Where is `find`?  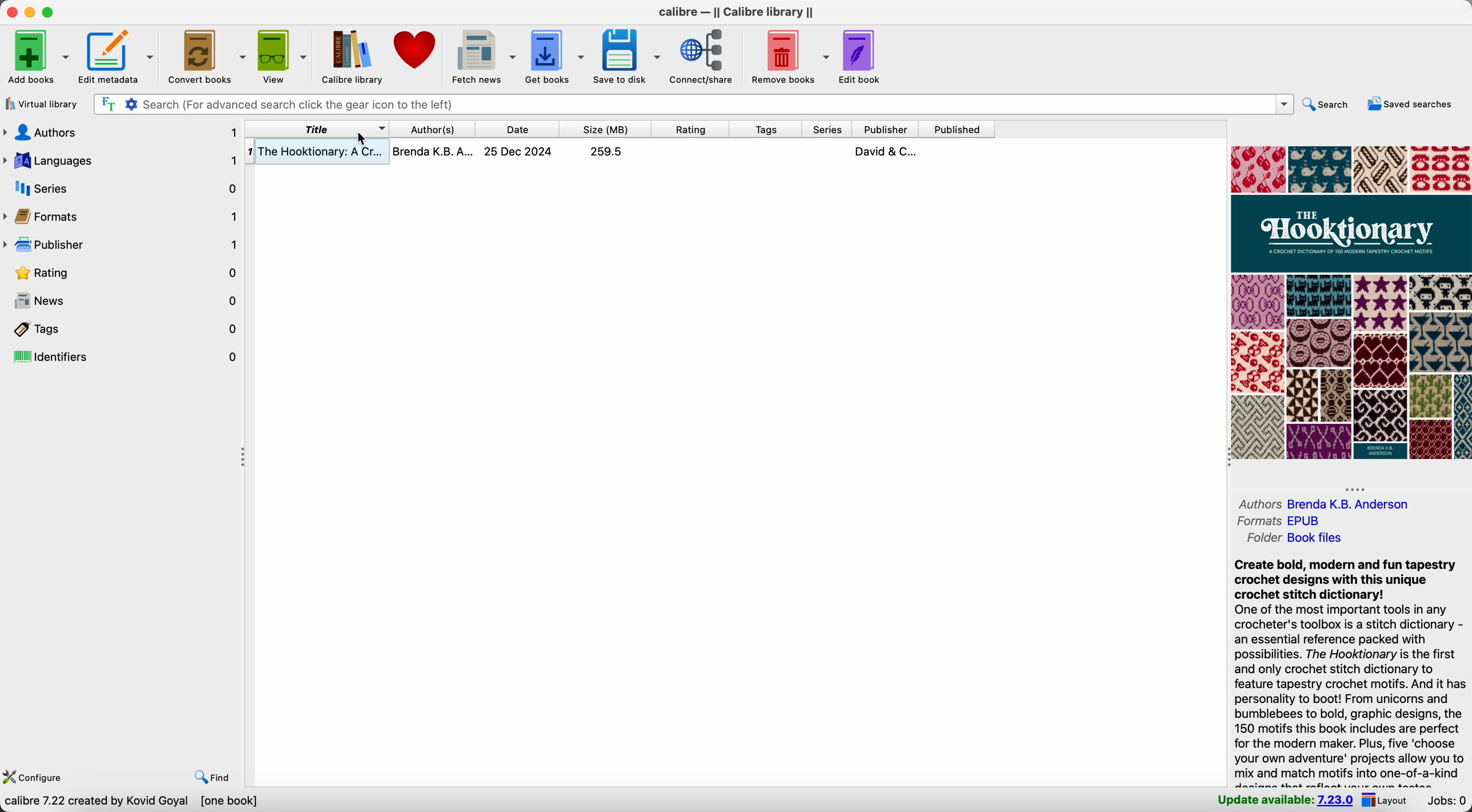 find is located at coordinates (211, 779).